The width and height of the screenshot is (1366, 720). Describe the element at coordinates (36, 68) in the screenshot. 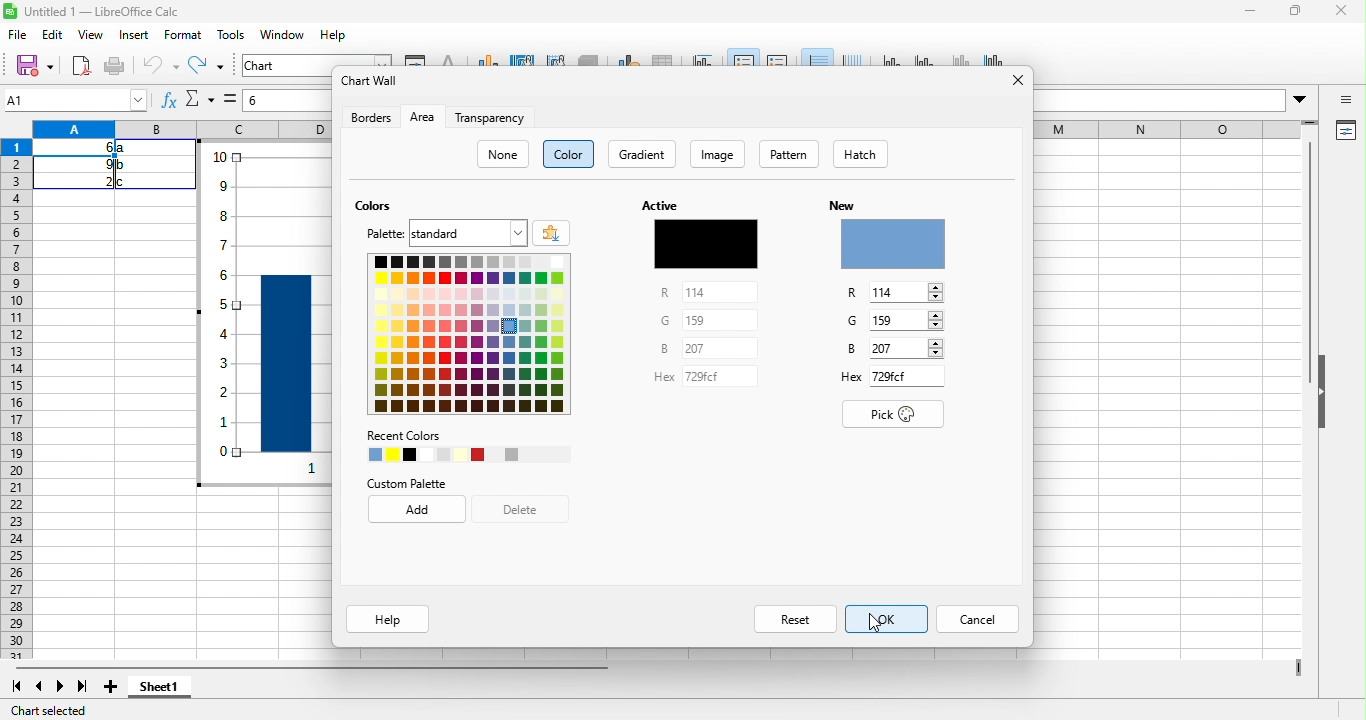

I see `save` at that location.